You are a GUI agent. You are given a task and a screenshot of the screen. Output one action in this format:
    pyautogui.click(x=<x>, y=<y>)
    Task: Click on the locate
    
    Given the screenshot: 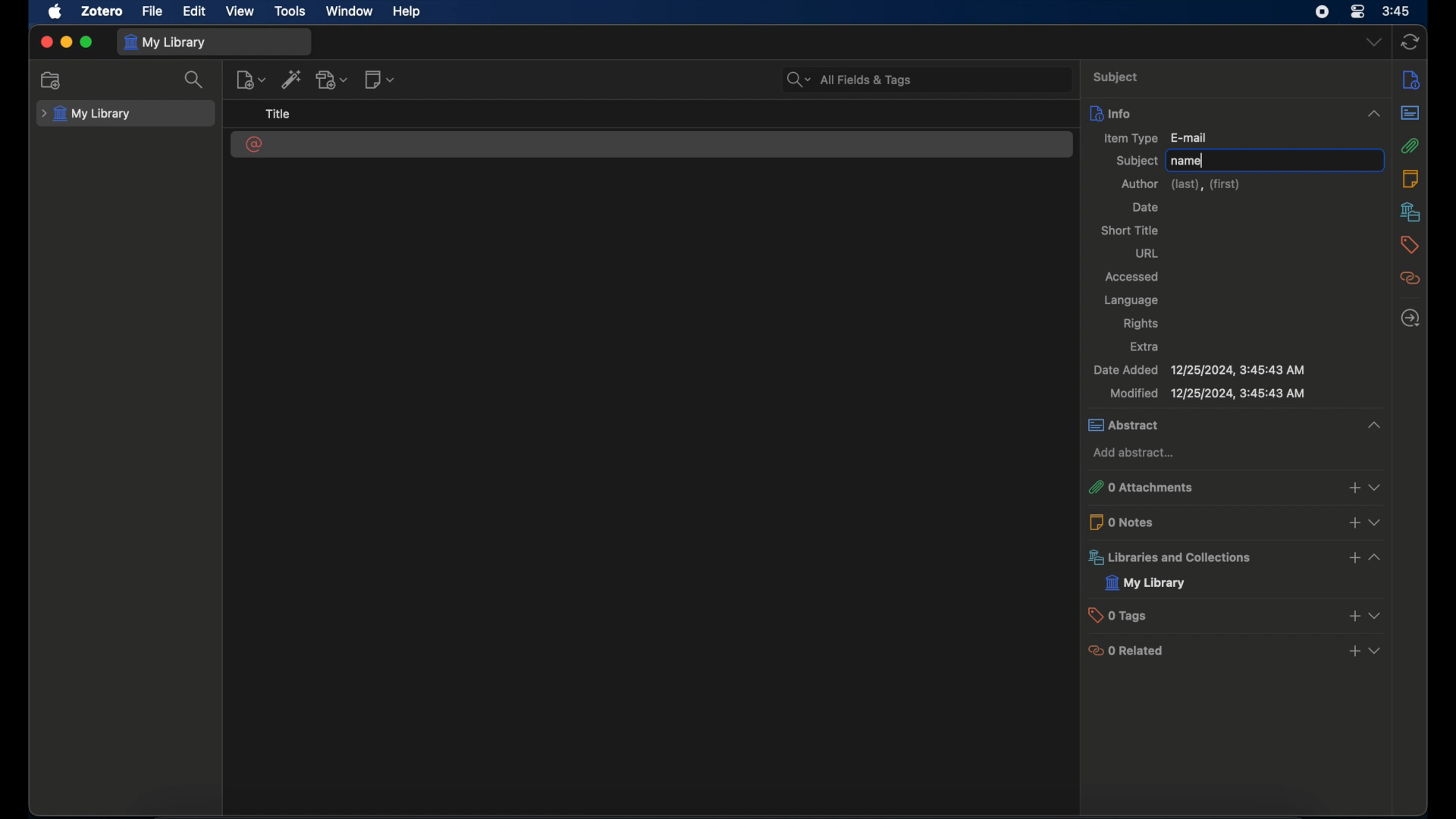 What is the action you would take?
    pyautogui.click(x=1409, y=318)
    